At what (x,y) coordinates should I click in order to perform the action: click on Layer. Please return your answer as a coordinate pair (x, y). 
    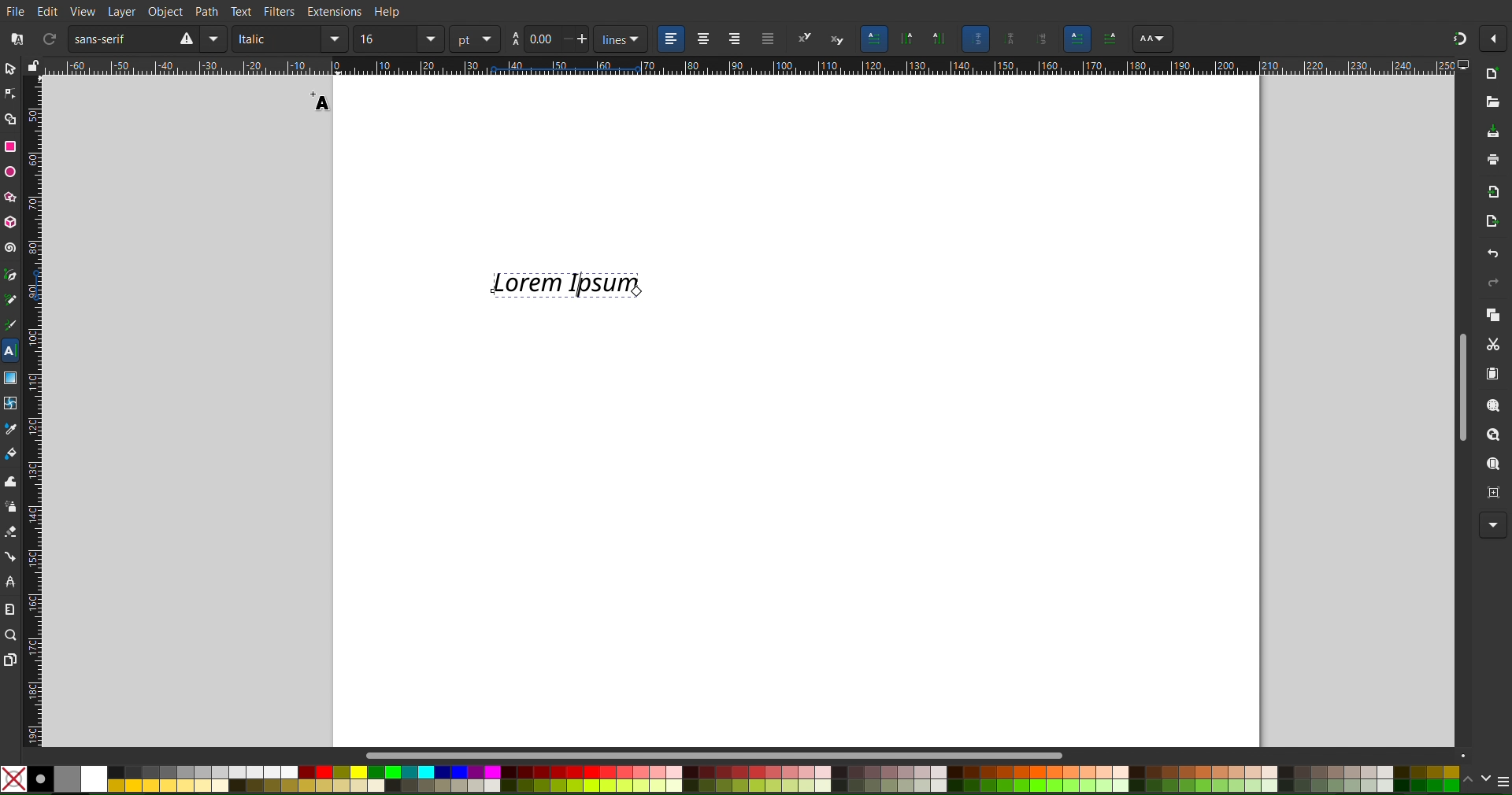
    Looking at the image, I should click on (121, 11).